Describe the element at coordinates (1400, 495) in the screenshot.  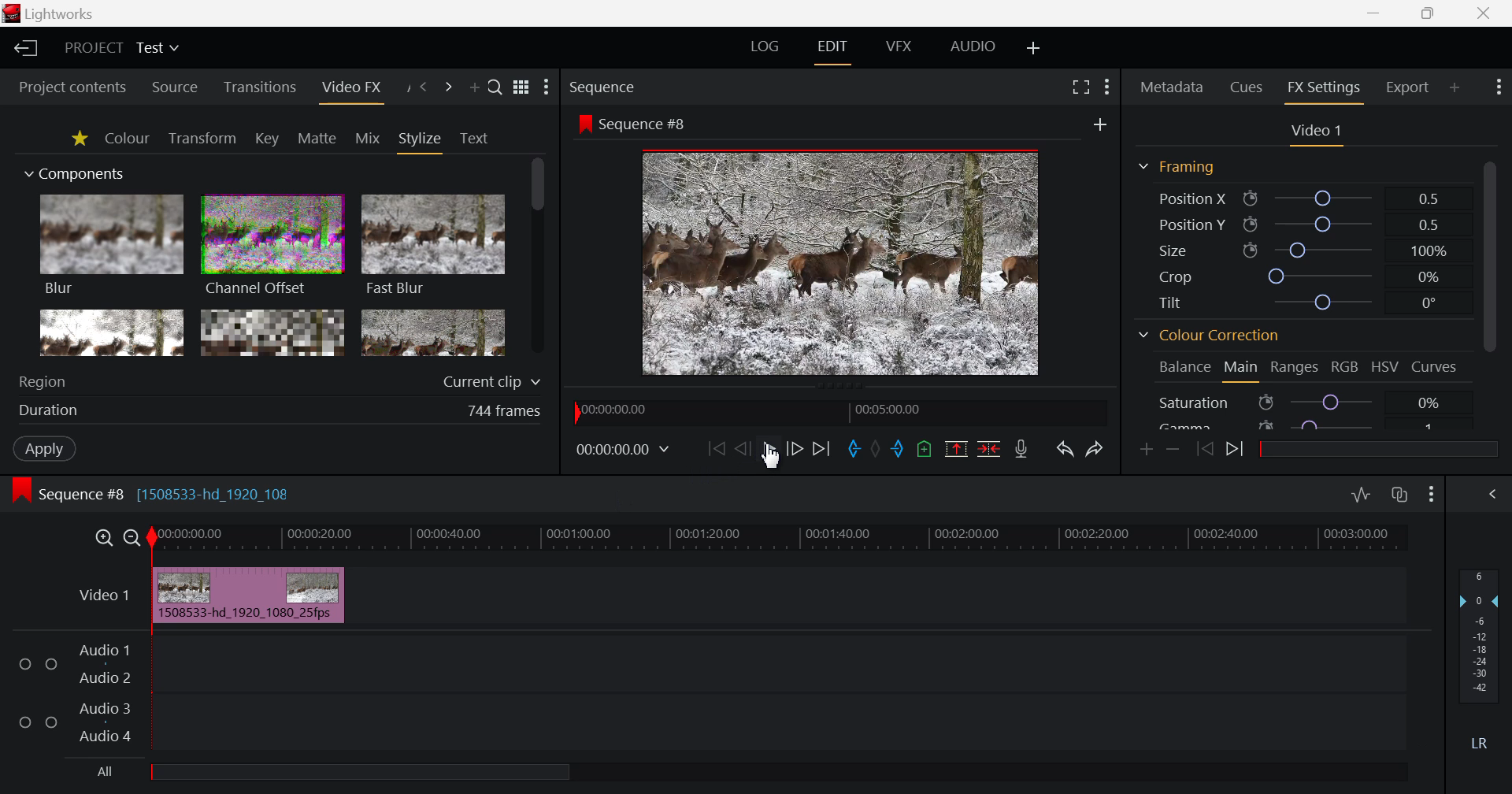
I see `Toggle auto track sync` at that location.